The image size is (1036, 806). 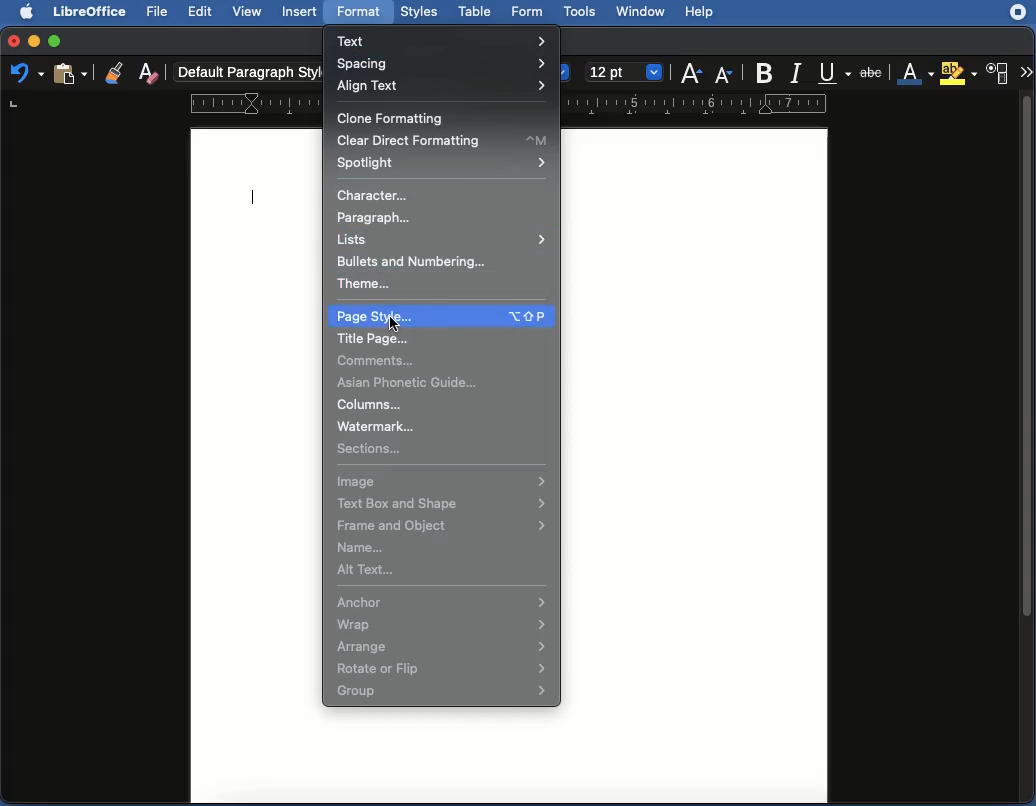 I want to click on Text, so click(x=448, y=39).